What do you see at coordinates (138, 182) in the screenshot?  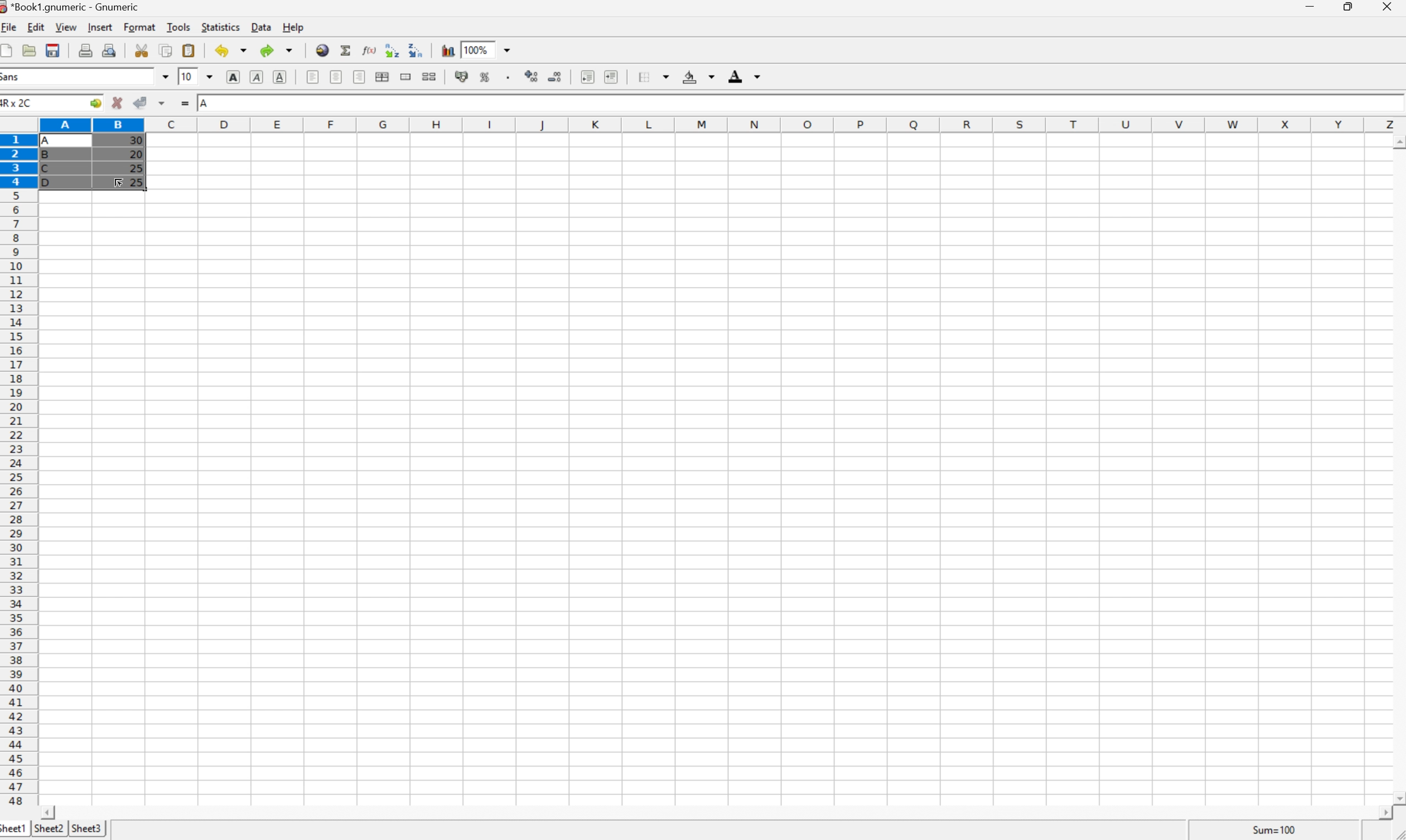 I see `25` at bounding box center [138, 182].